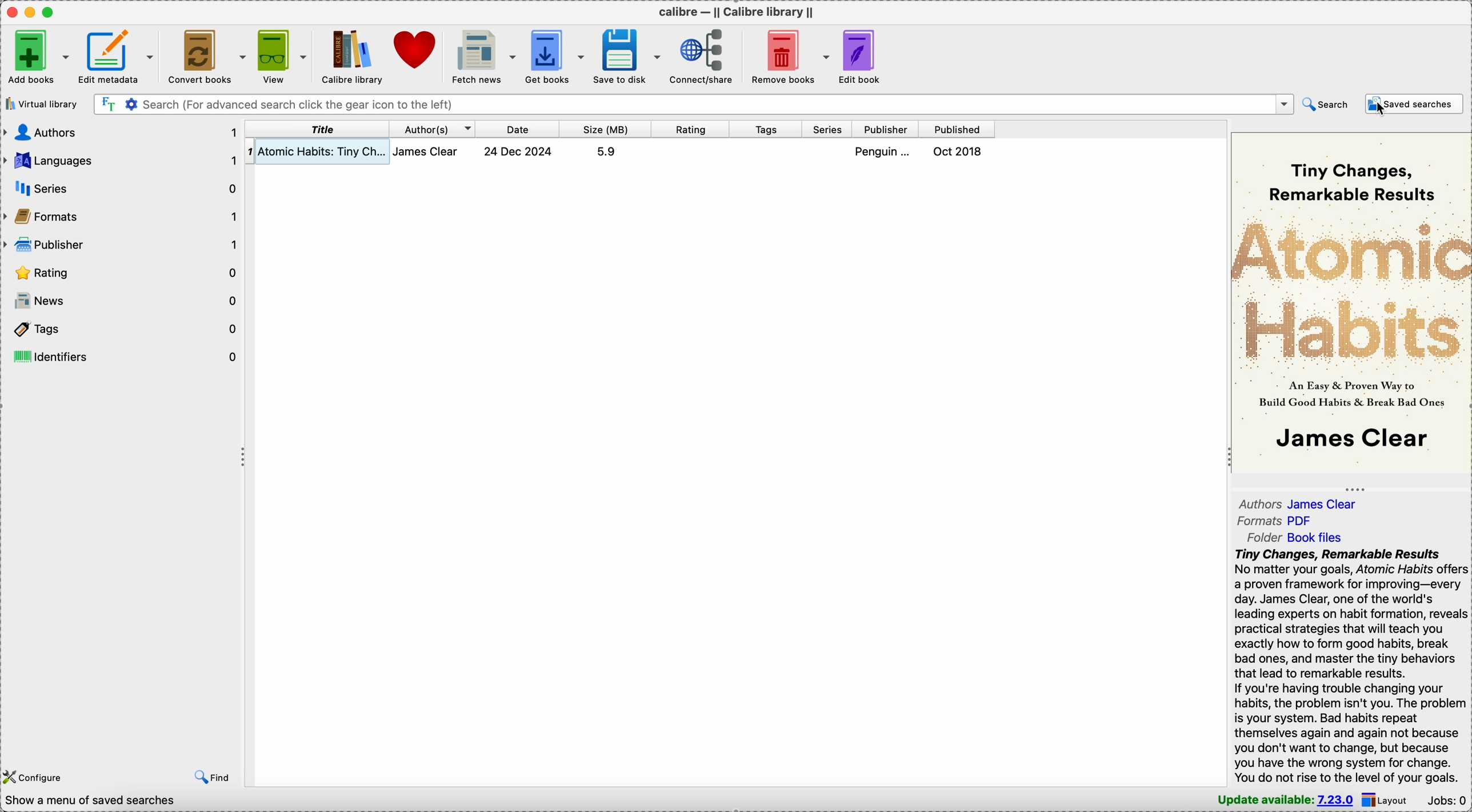  Describe the element at coordinates (122, 246) in the screenshot. I see `publisher` at that location.